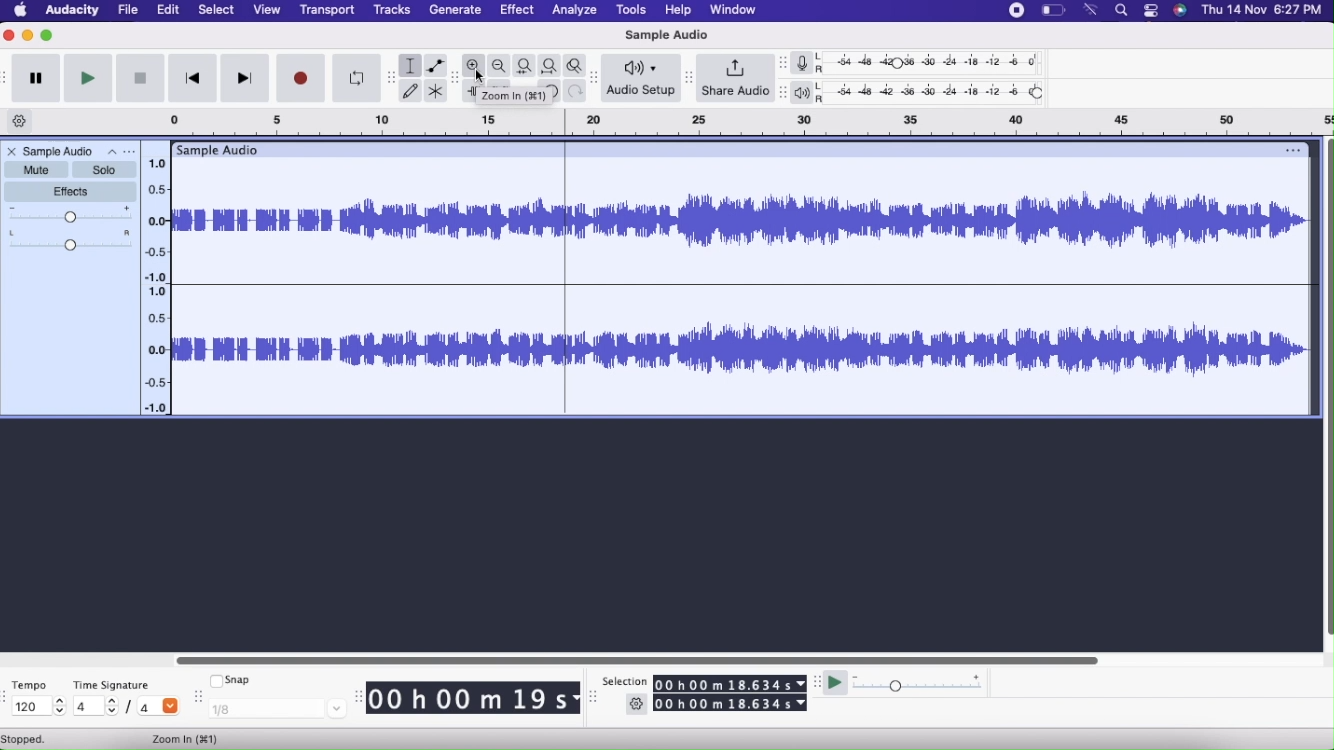 The image size is (1334, 750). What do you see at coordinates (9, 37) in the screenshot?
I see `Close` at bounding box center [9, 37].